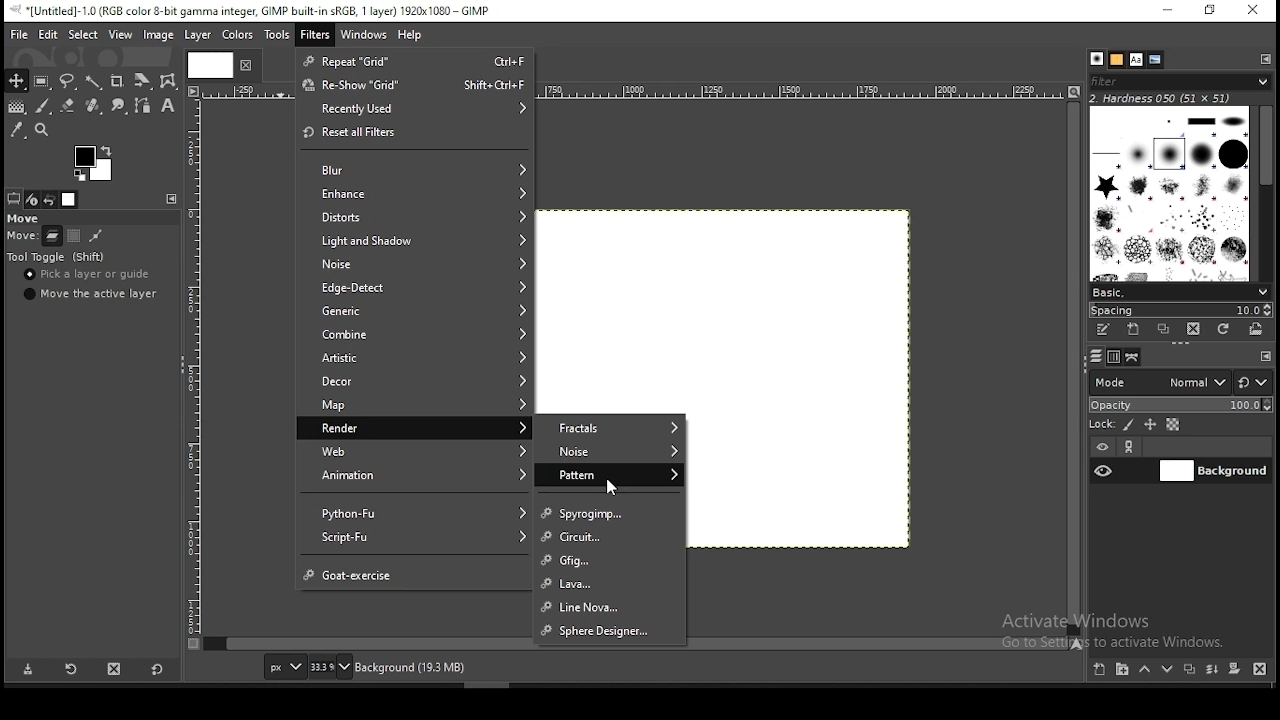  What do you see at coordinates (80, 34) in the screenshot?
I see `select` at bounding box center [80, 34].